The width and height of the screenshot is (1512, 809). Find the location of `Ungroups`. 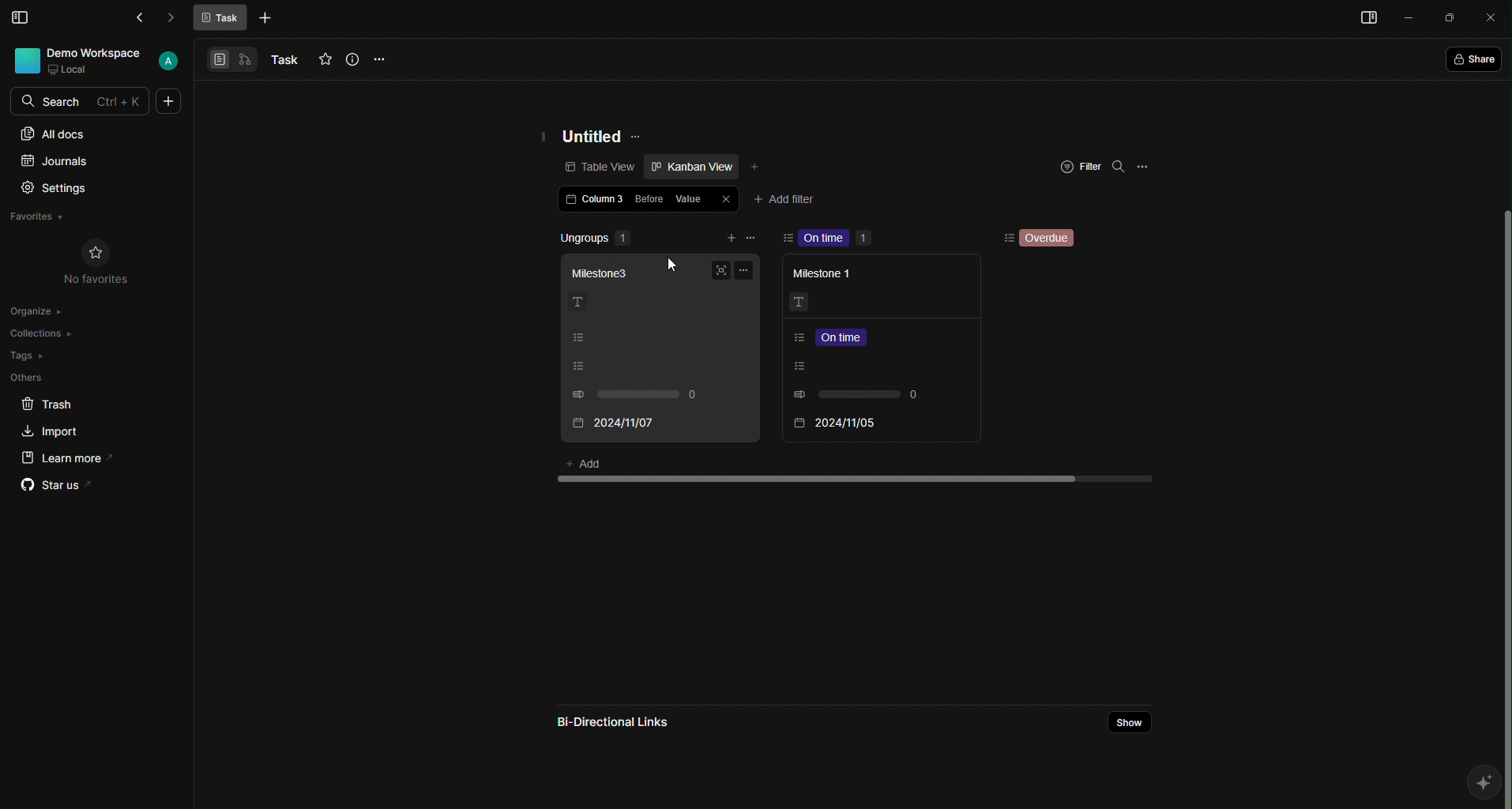

Ungroups is located at coordinates (627, 238).